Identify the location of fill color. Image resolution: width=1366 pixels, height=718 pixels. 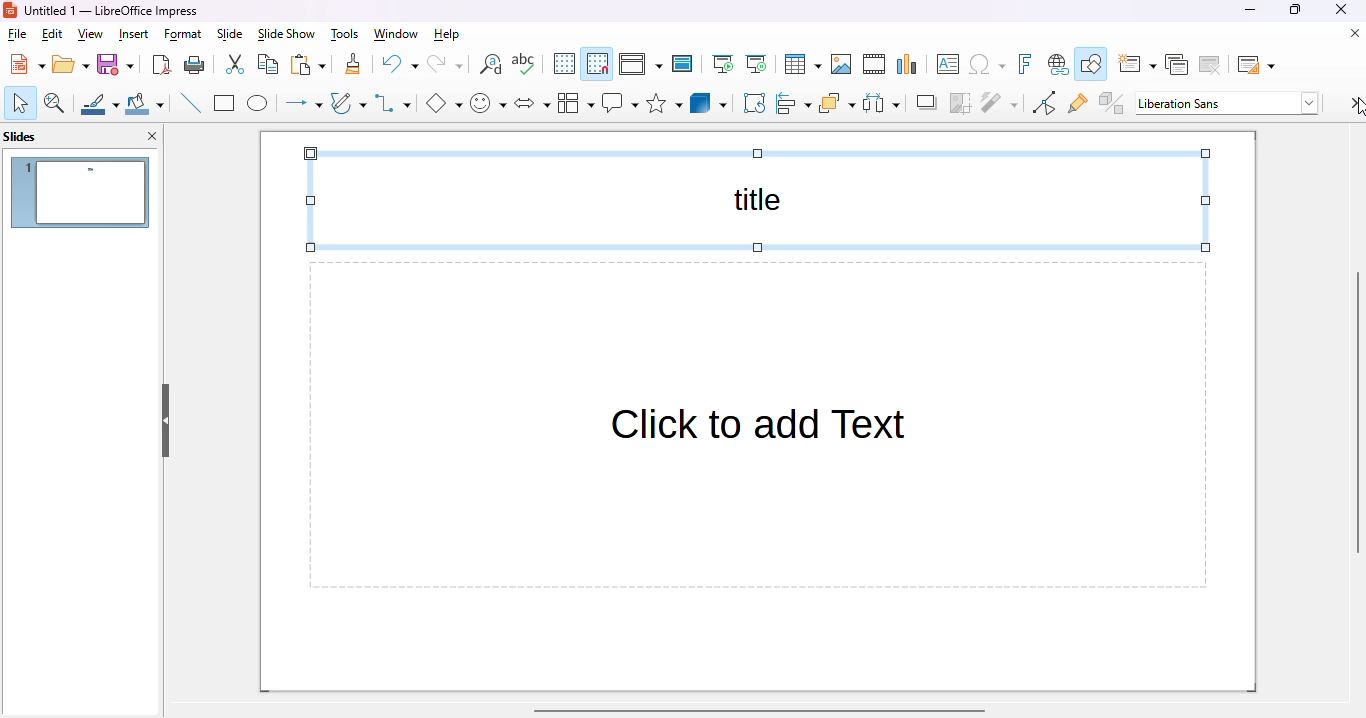
(145, 103).